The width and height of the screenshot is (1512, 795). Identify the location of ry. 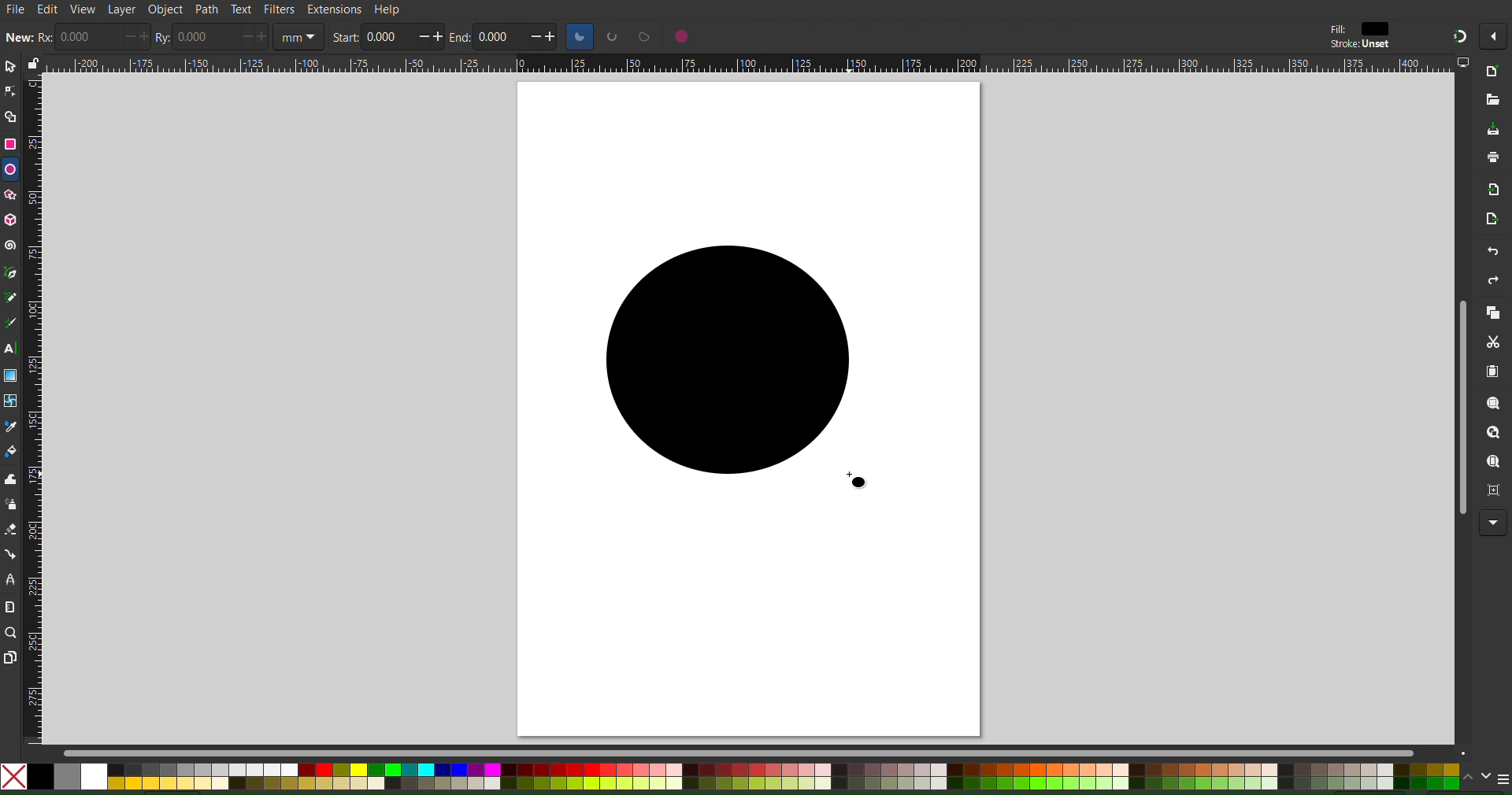
(161, 40).